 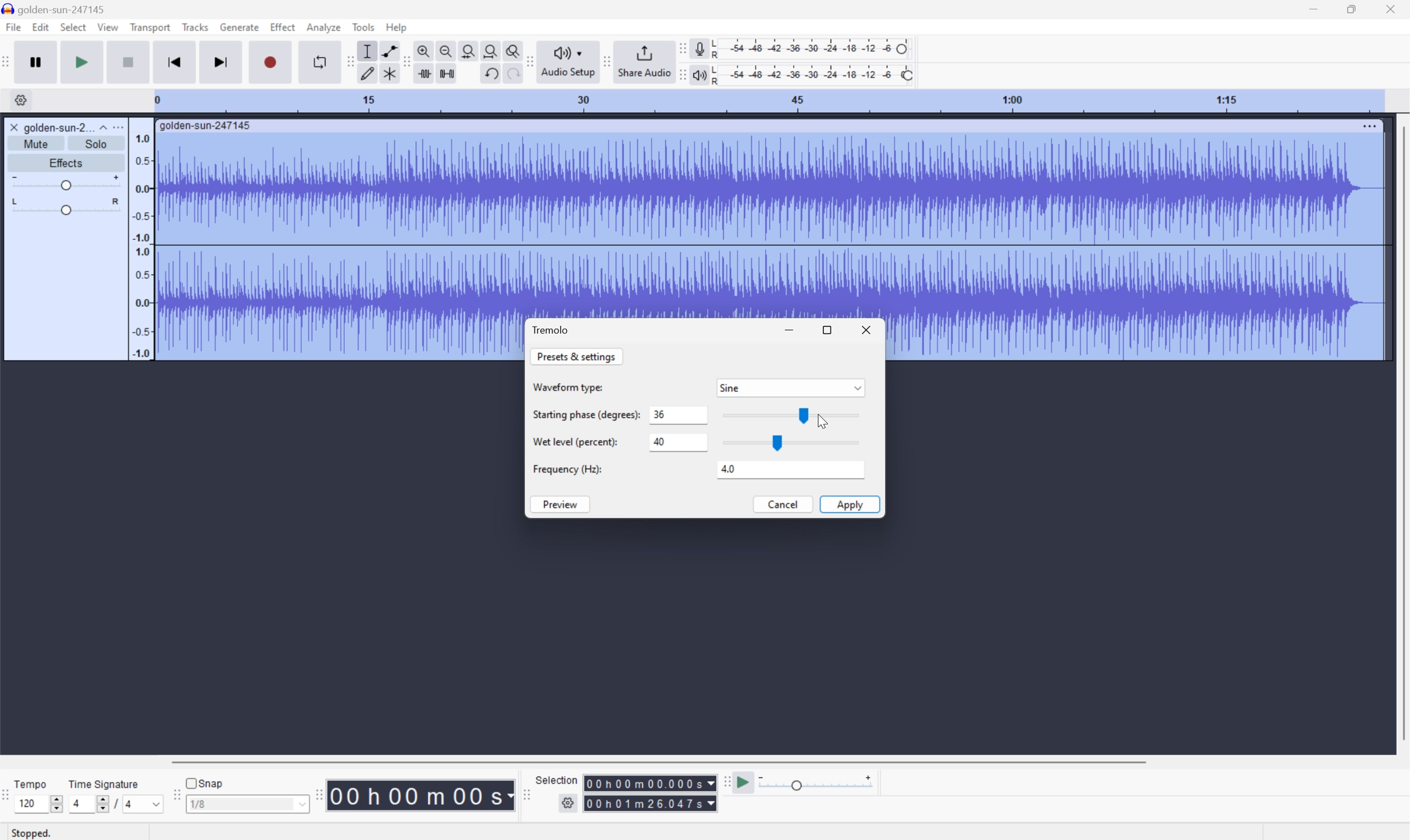 What do you see at coordinates (33, 804) in the screenshot?
I see `120` at bounding box center [33, 804].